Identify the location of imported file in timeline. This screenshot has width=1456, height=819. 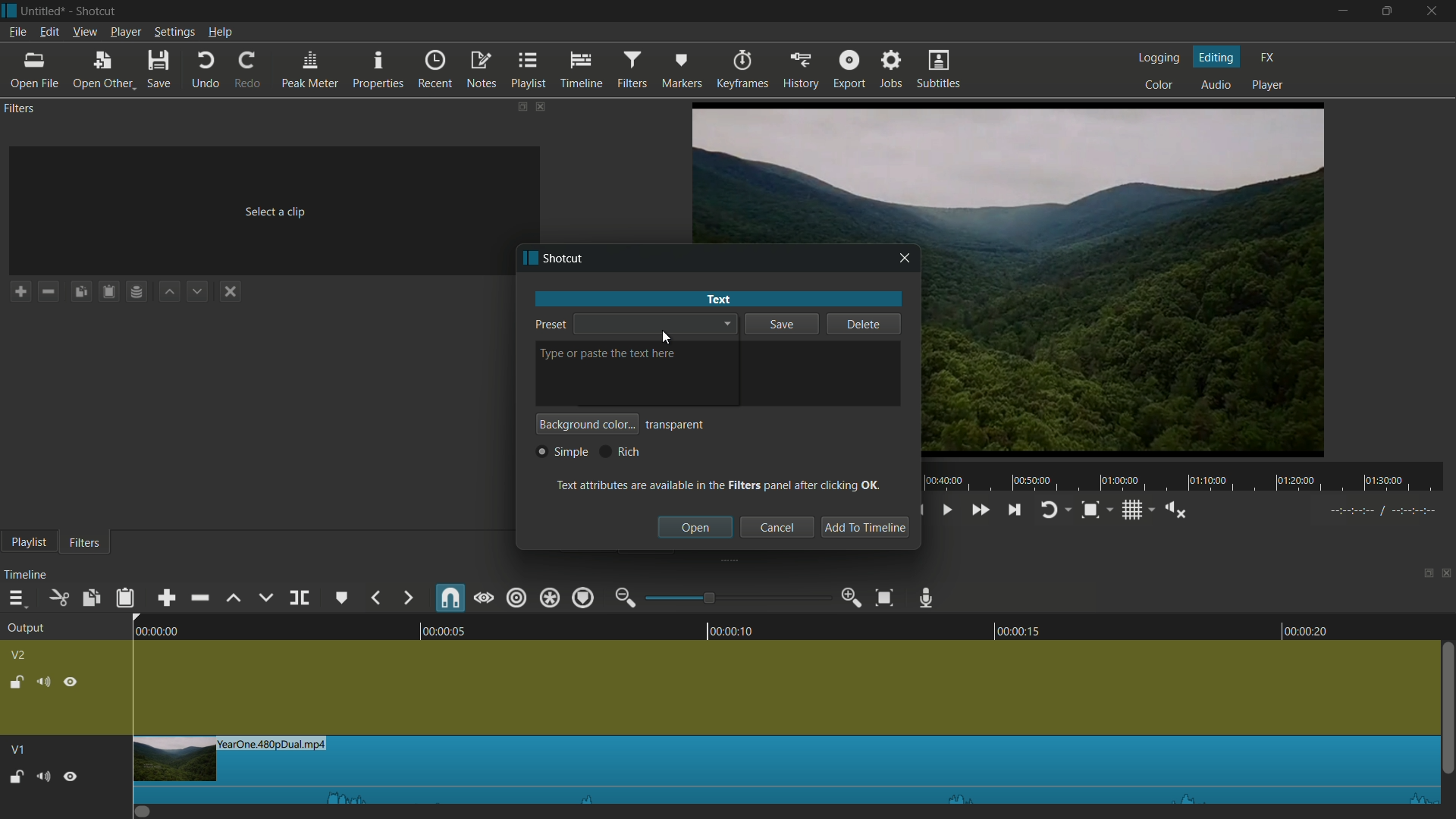
(786, 770).